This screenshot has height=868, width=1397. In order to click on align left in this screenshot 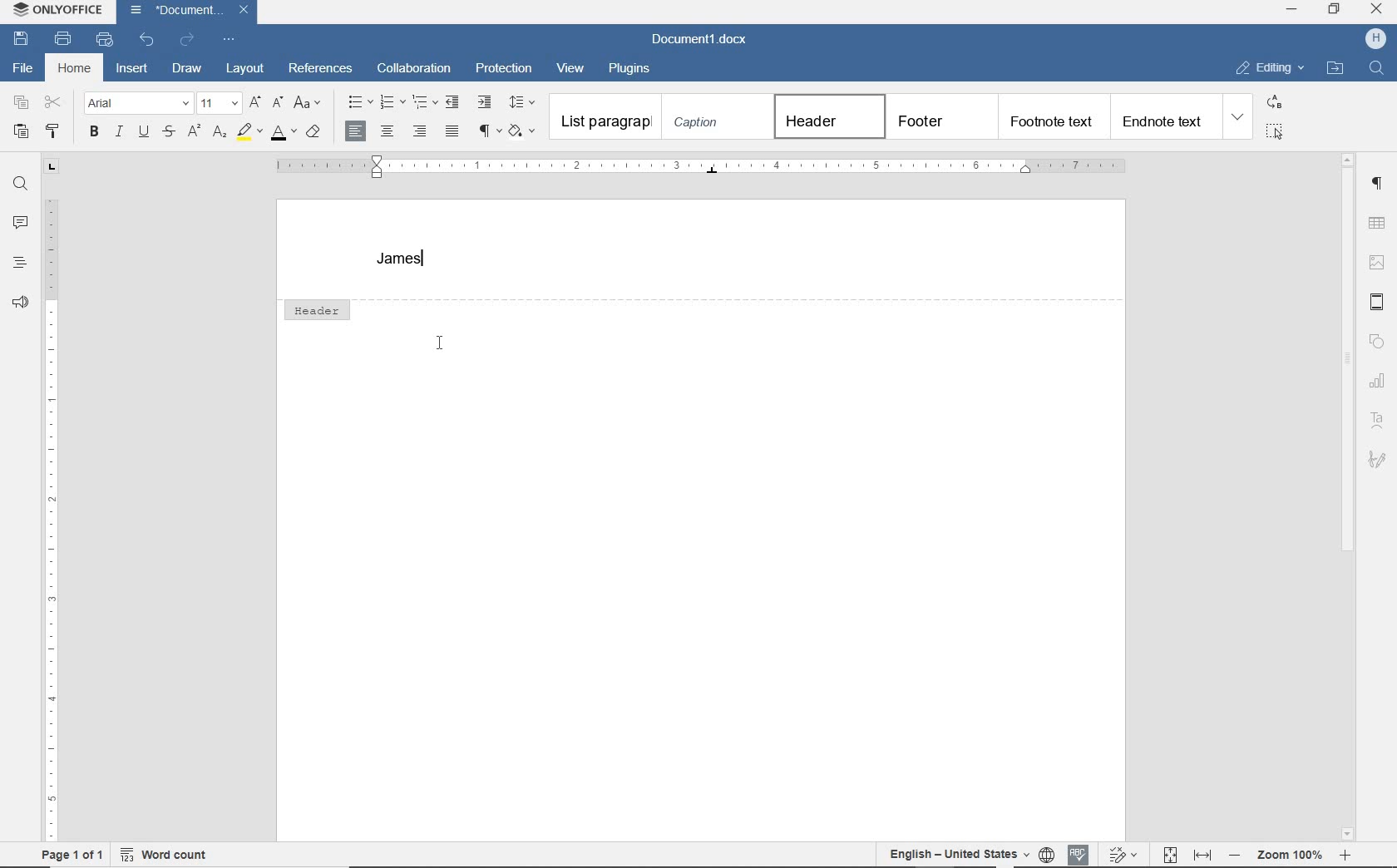, I will do `click(357, 131)`.